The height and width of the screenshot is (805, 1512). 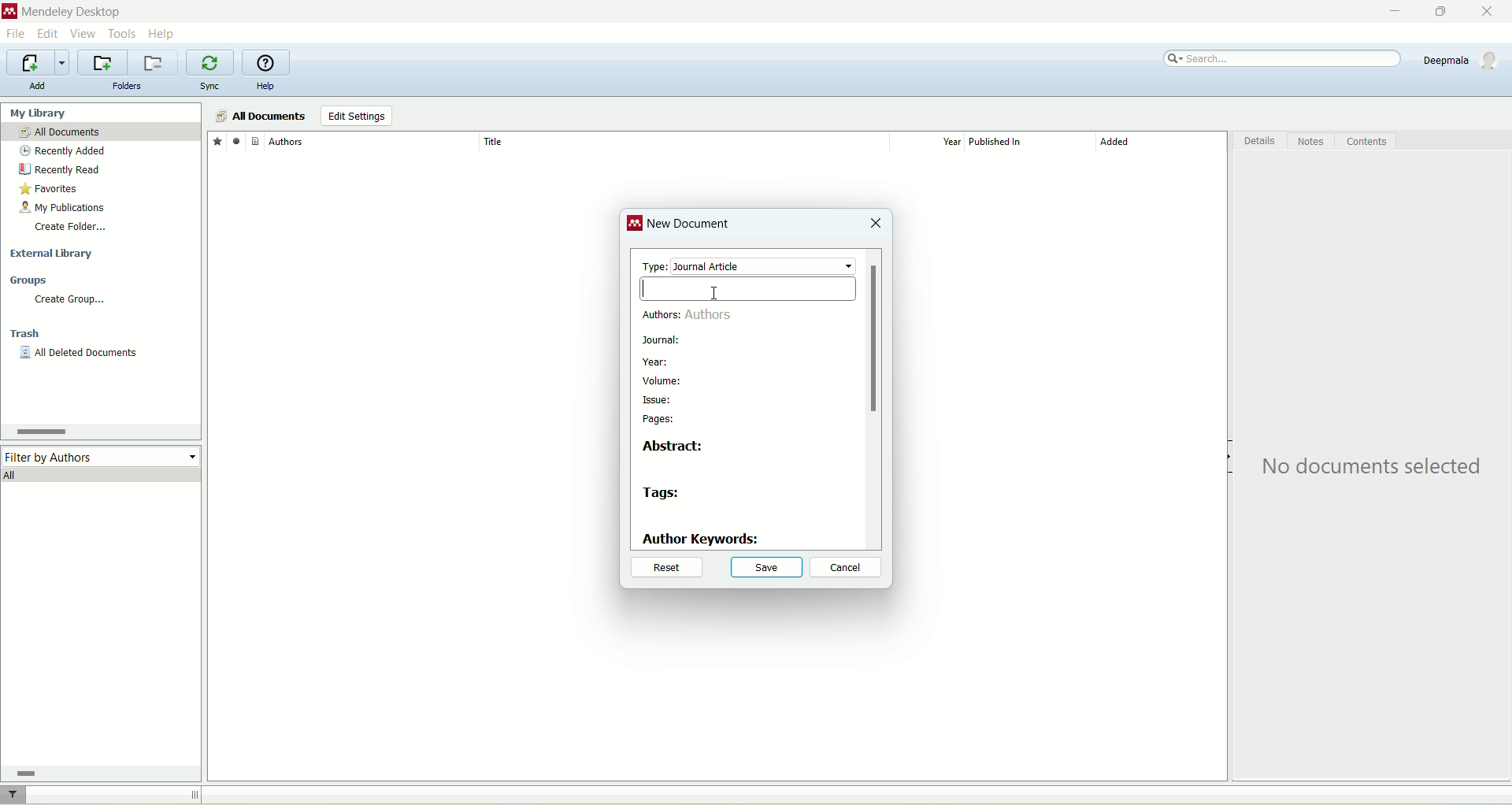 What do you see at coordinates (40, 113) in the screenshot?
I see `my library` at bounding box center [40, 113].